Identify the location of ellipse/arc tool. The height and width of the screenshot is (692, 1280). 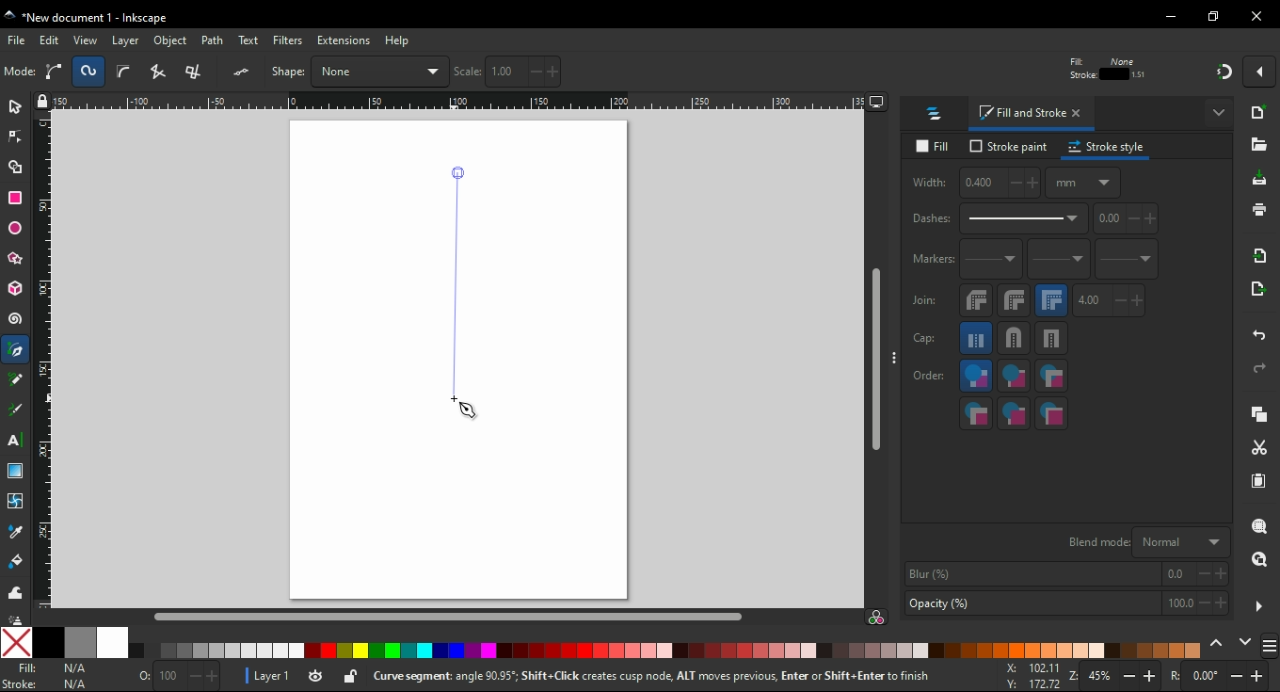
(18, 229).